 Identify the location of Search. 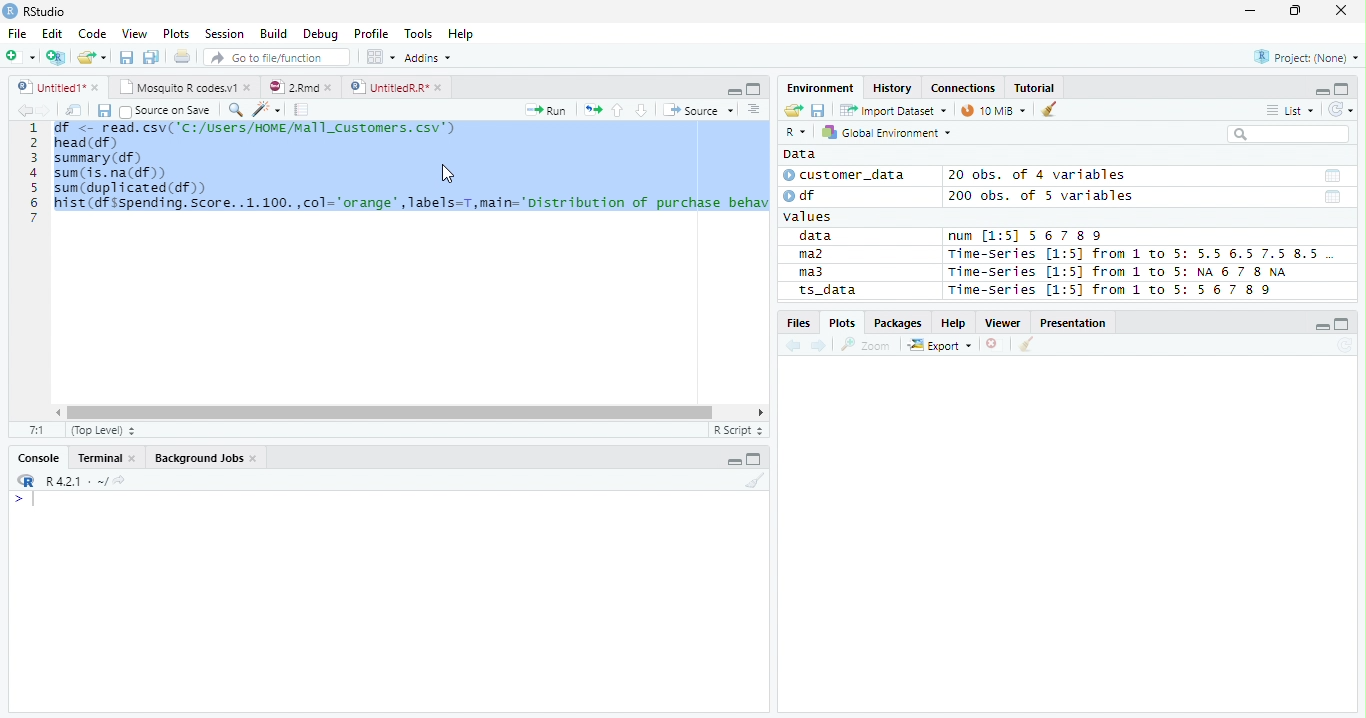
(1286, 134).